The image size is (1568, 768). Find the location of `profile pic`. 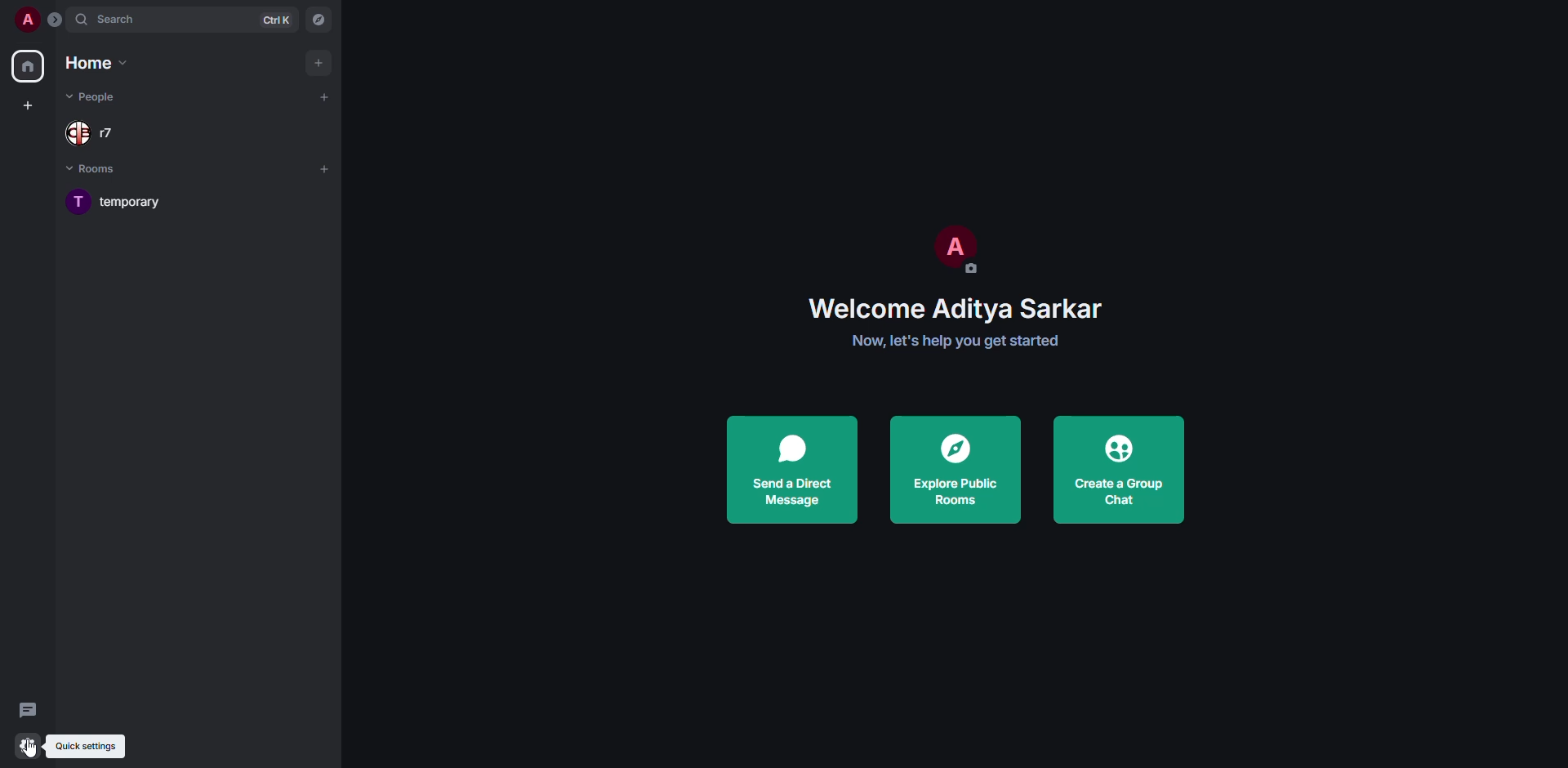

profile pic is located at coordinates (952, 249).